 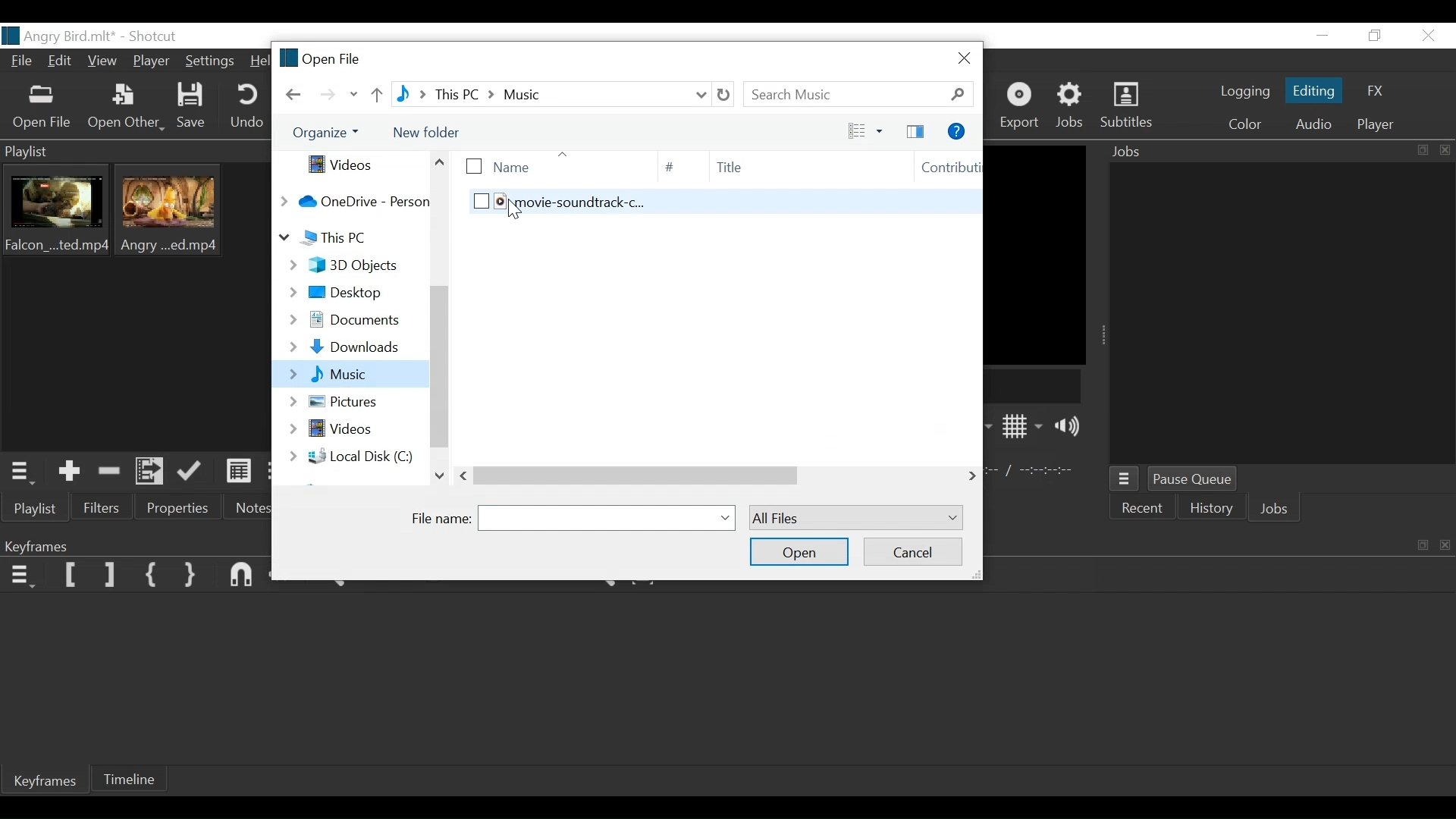 I want to click on logging, so click(x=1240, y=93).